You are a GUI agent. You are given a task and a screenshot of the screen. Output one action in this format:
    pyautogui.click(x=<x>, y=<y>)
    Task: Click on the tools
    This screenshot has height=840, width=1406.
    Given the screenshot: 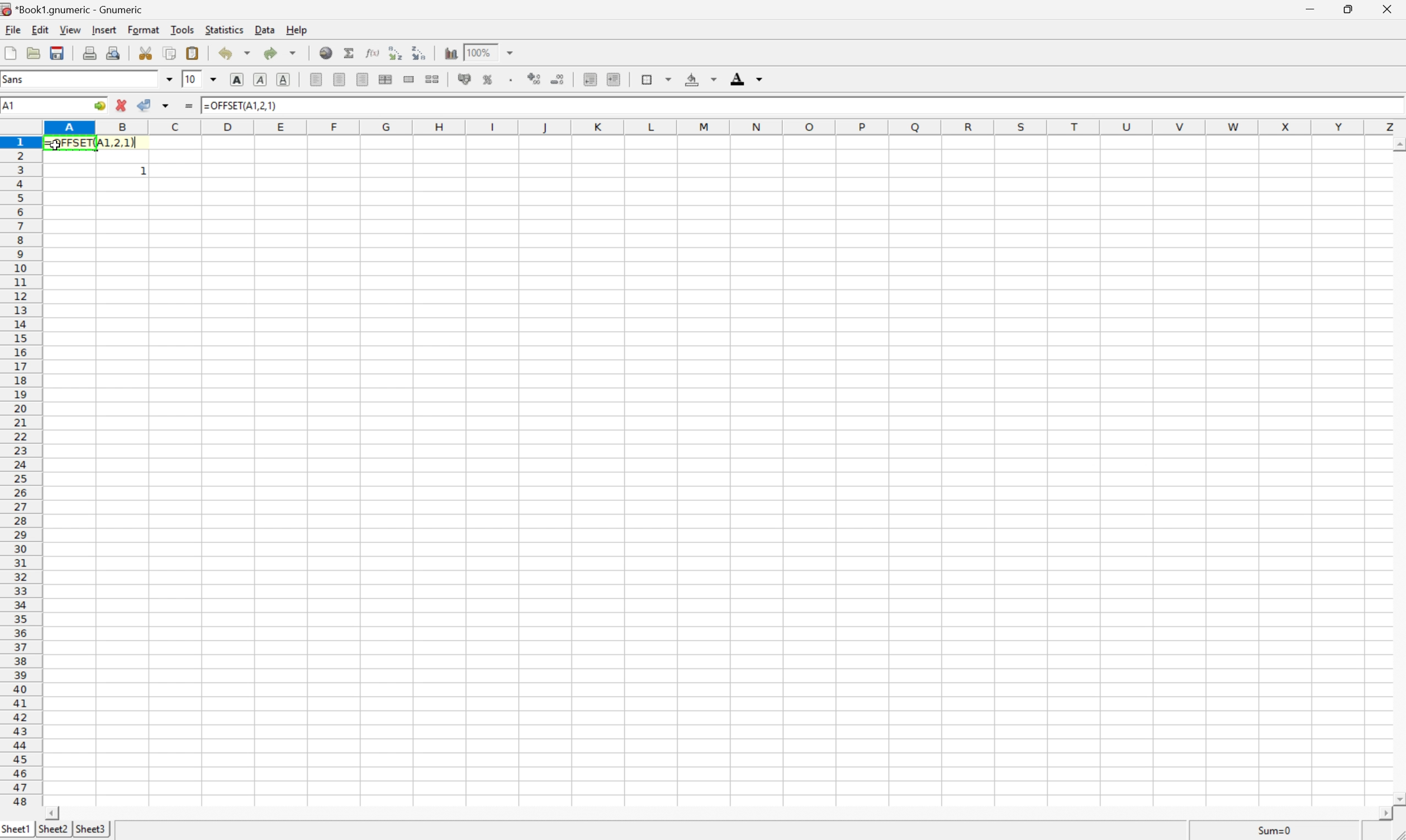 What is the action you would take?
    pyautogui.click(x=182, y=30)
    